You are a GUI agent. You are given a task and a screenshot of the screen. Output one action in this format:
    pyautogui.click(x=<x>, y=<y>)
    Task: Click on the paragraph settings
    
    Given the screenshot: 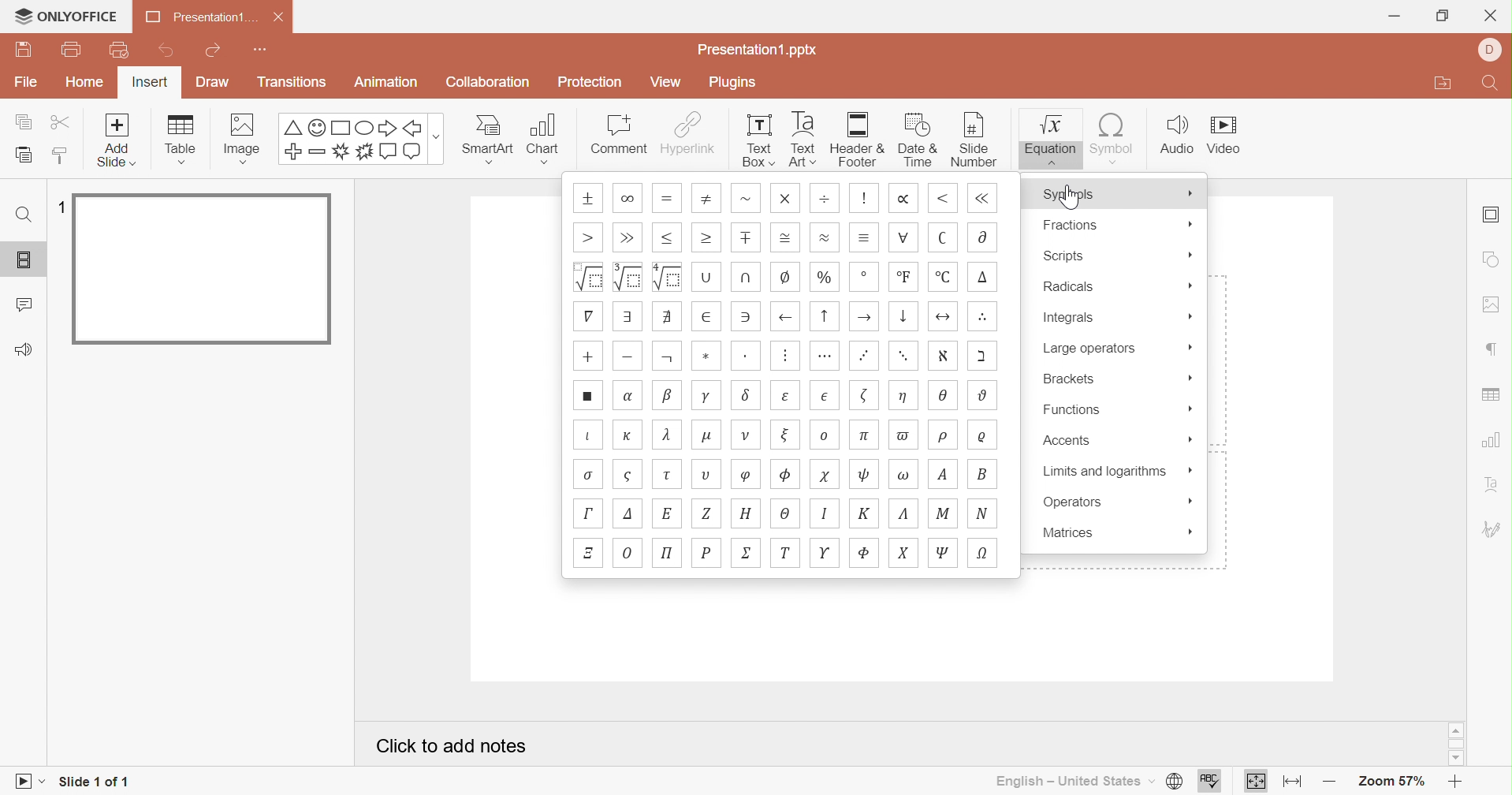 What is the action you would take?
    pyautogui.click(x=1490, y=348)
    